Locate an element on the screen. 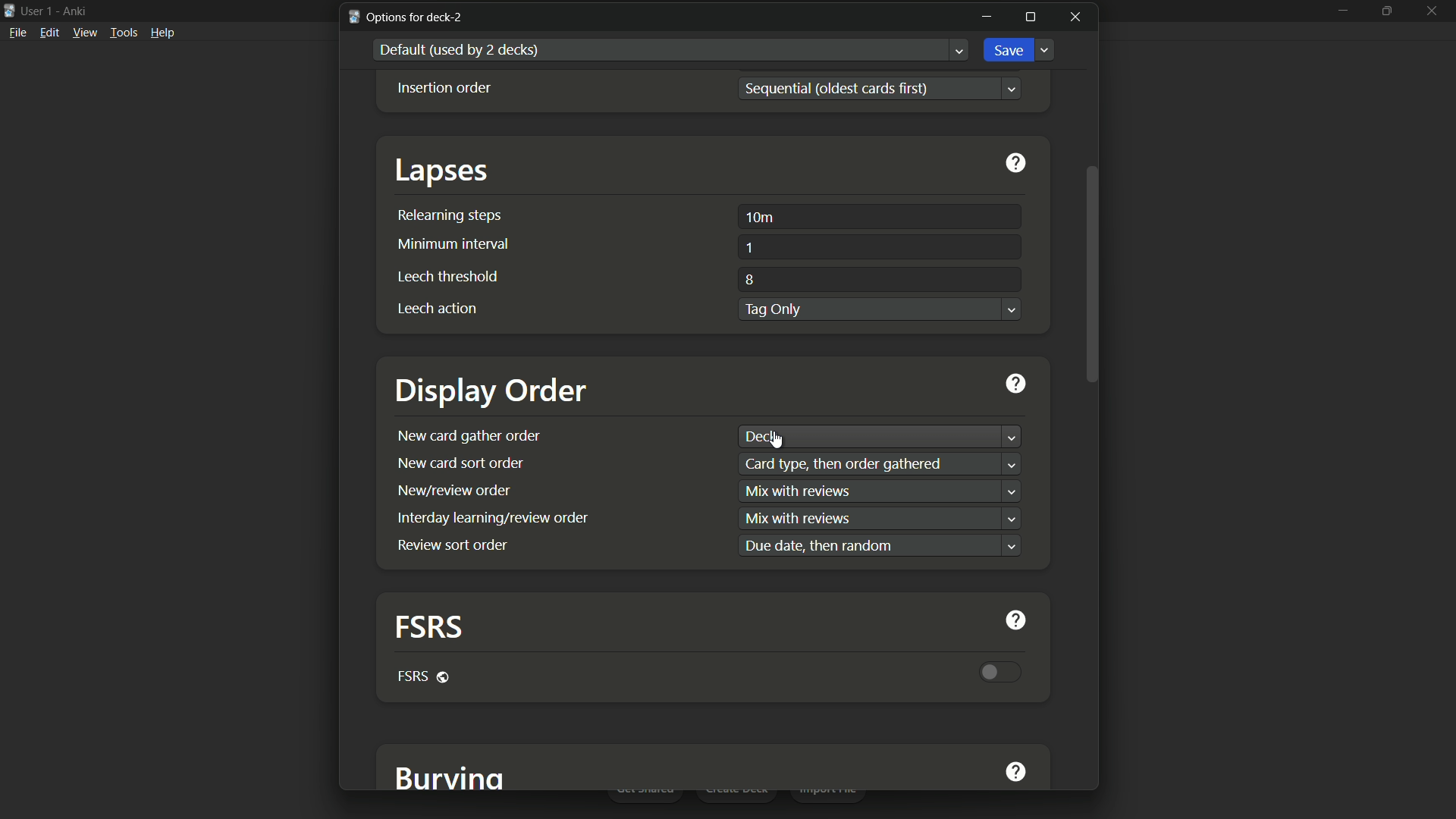 The height and width of the screenshot is (819, 1456). maximize is located at coordinates (1389, 9).